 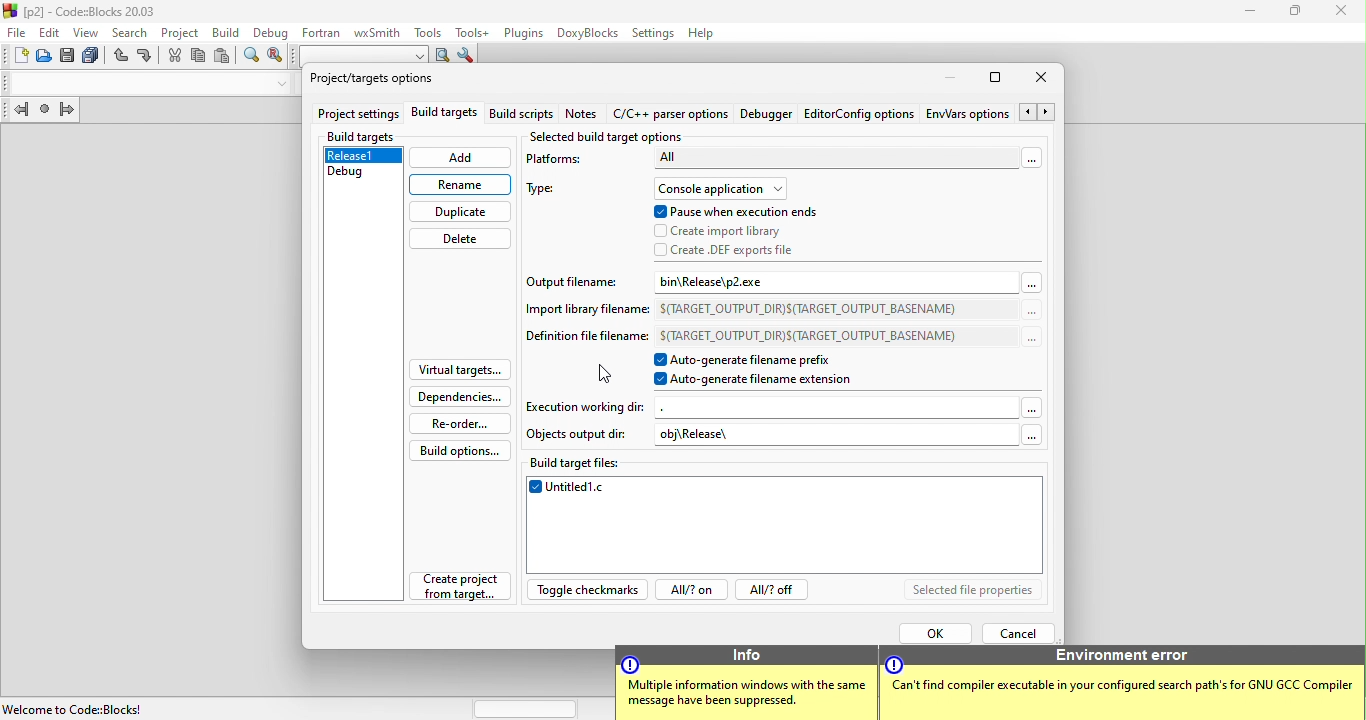 I want to click on build script , so click(x=525, y=115).